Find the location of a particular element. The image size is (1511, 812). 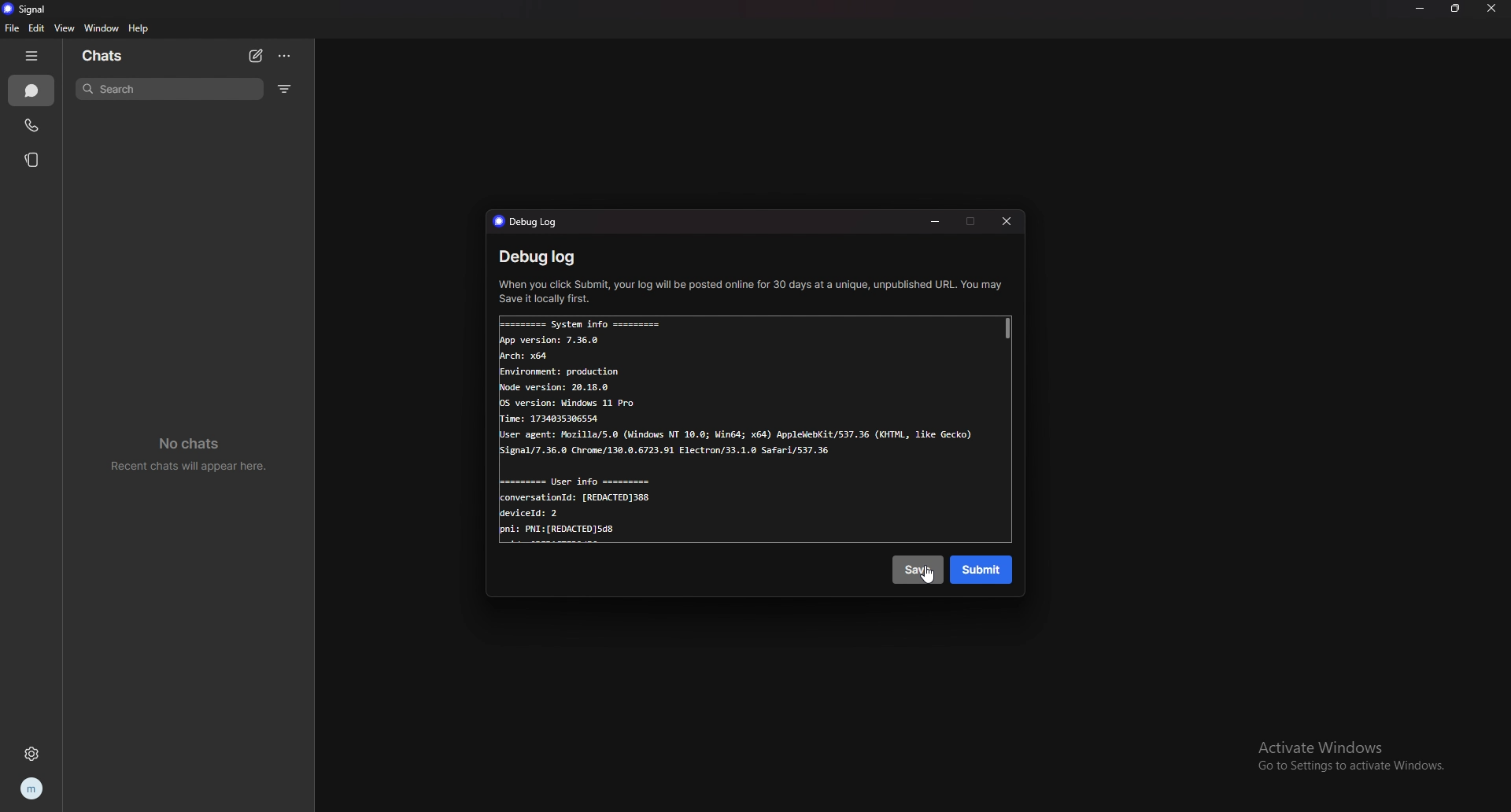

scroll bar is located at coordinates (1010, 328).